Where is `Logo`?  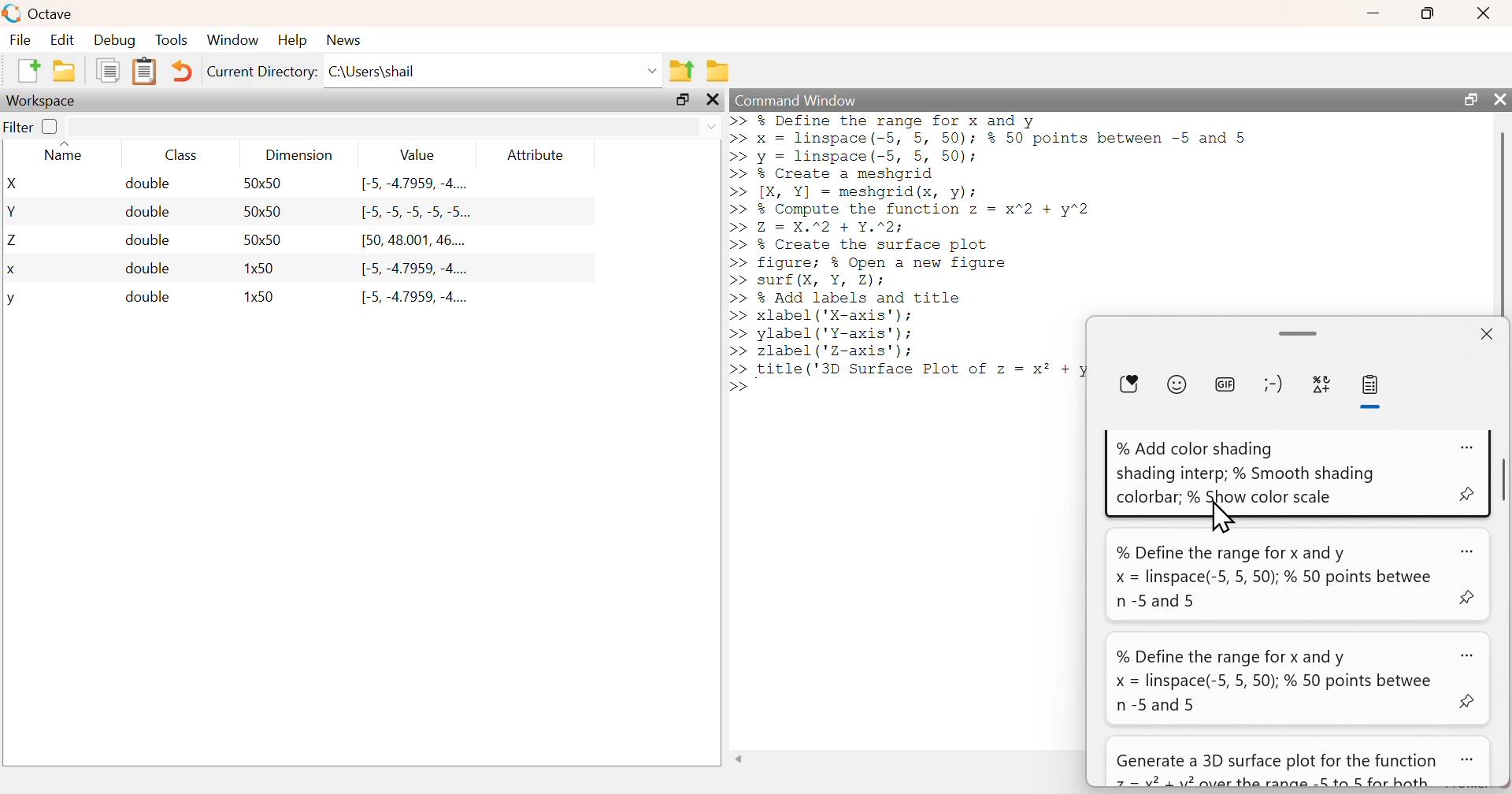 Logo is located at coordinates (13, 14).